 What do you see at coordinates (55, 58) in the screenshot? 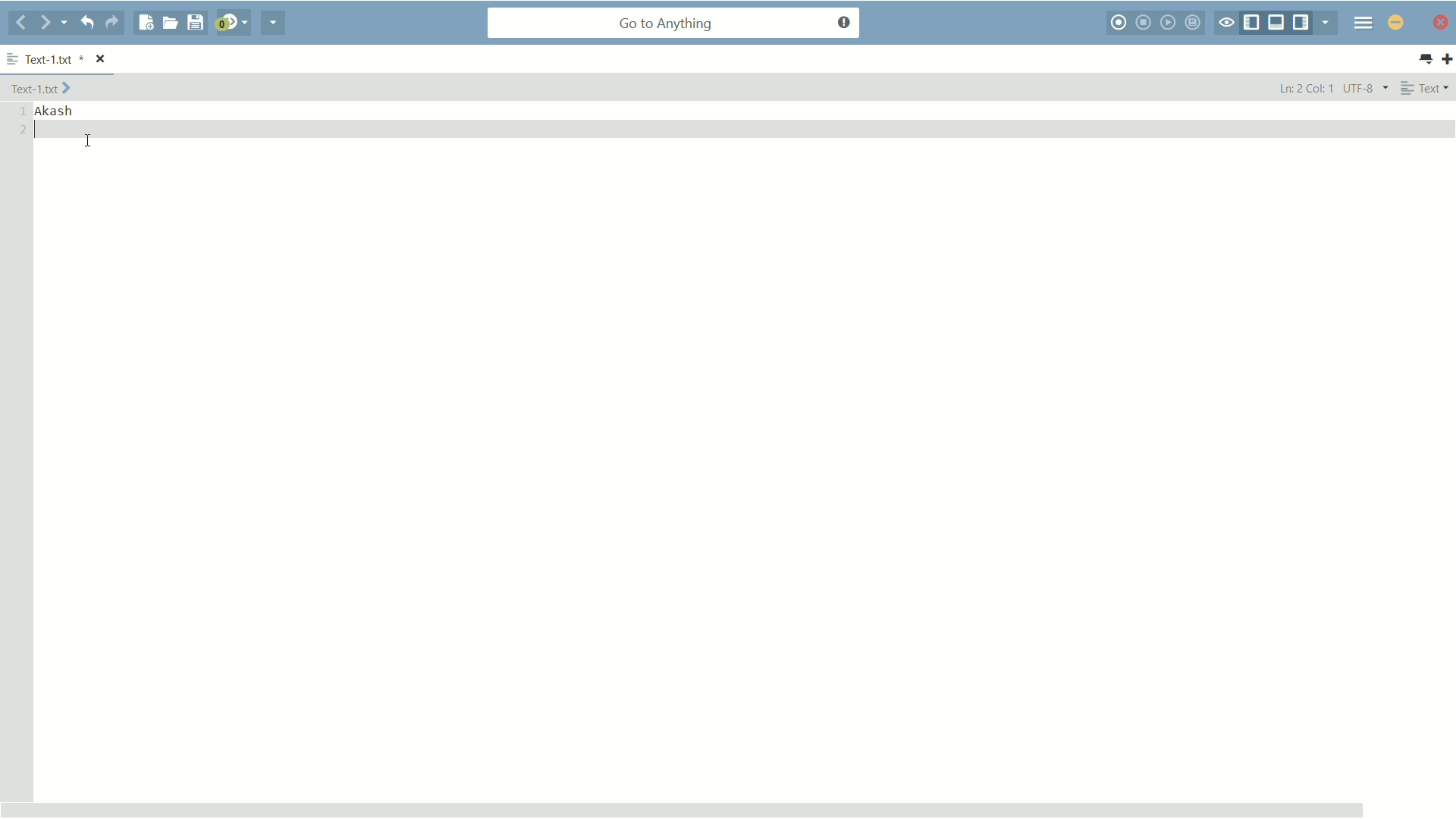
I see `Text-1.txt` at bounding box center [55, 58].